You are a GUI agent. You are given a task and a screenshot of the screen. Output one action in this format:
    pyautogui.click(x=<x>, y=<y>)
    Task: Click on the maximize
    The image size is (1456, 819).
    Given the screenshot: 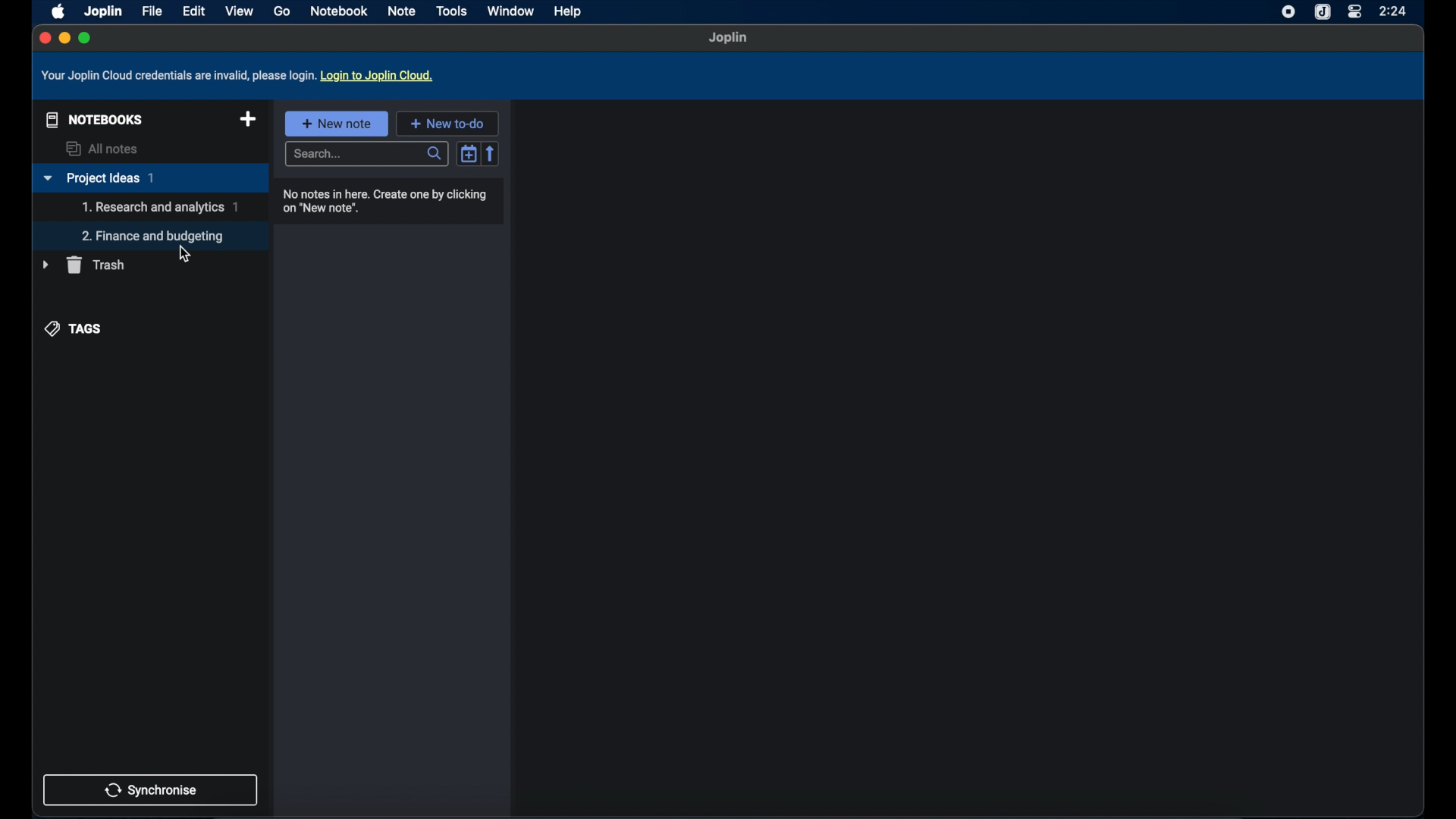 What is the action you would take?
    pyautogui.click(x=86, y=38)
    